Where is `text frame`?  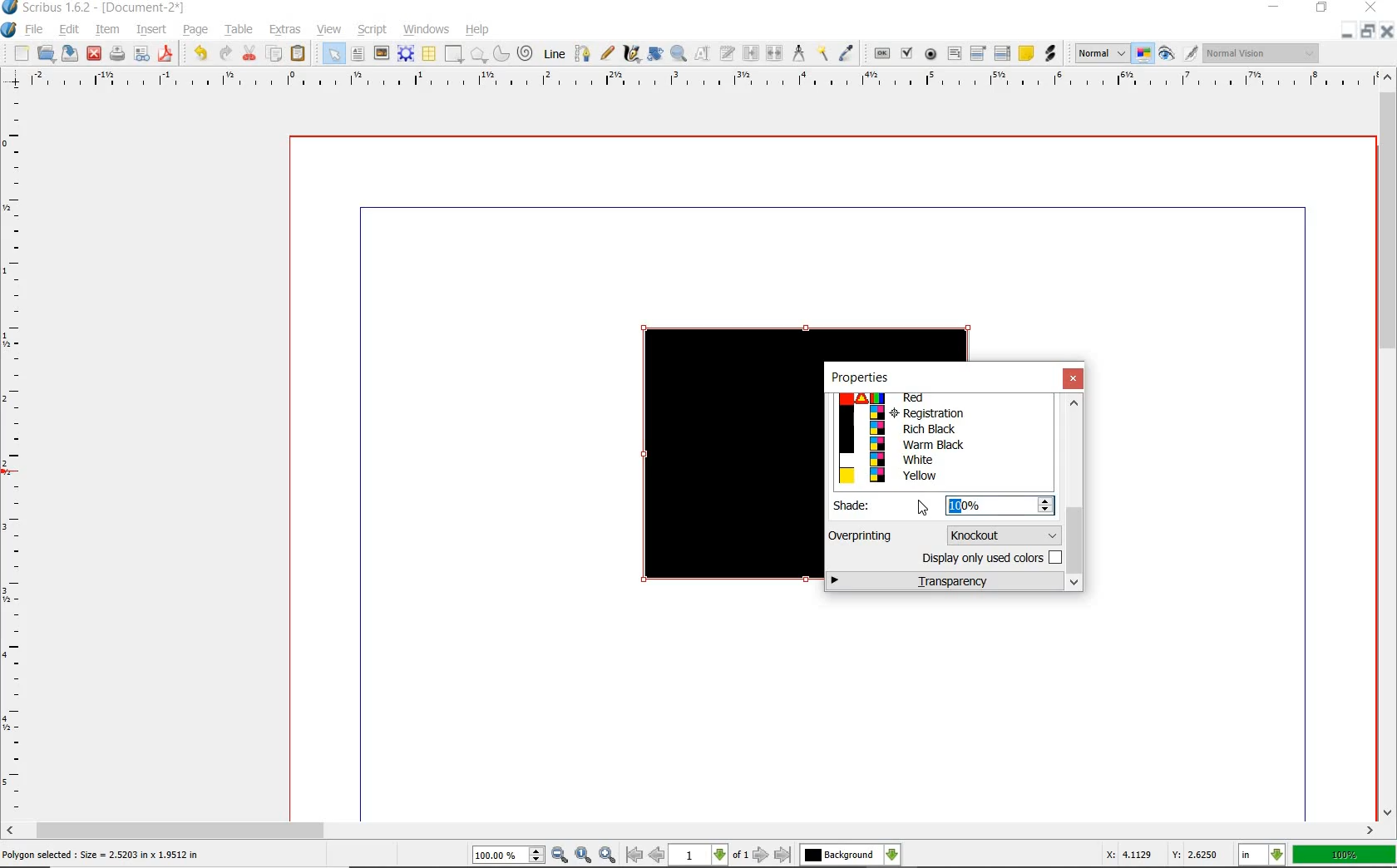 text frame is located at coordinates (360, 53).